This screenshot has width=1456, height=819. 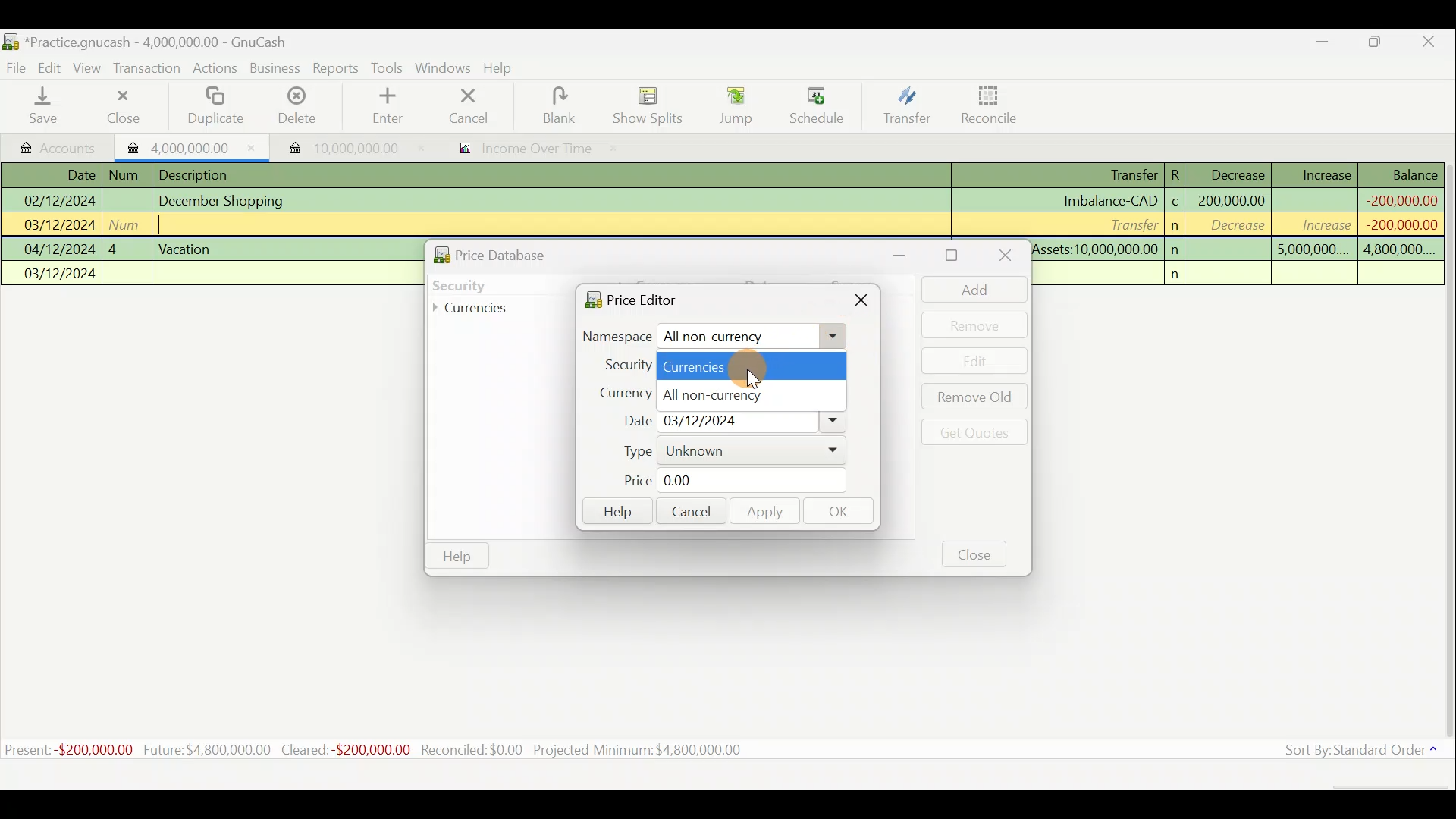 I want to click on Remove old, so click(x=971, y=398).